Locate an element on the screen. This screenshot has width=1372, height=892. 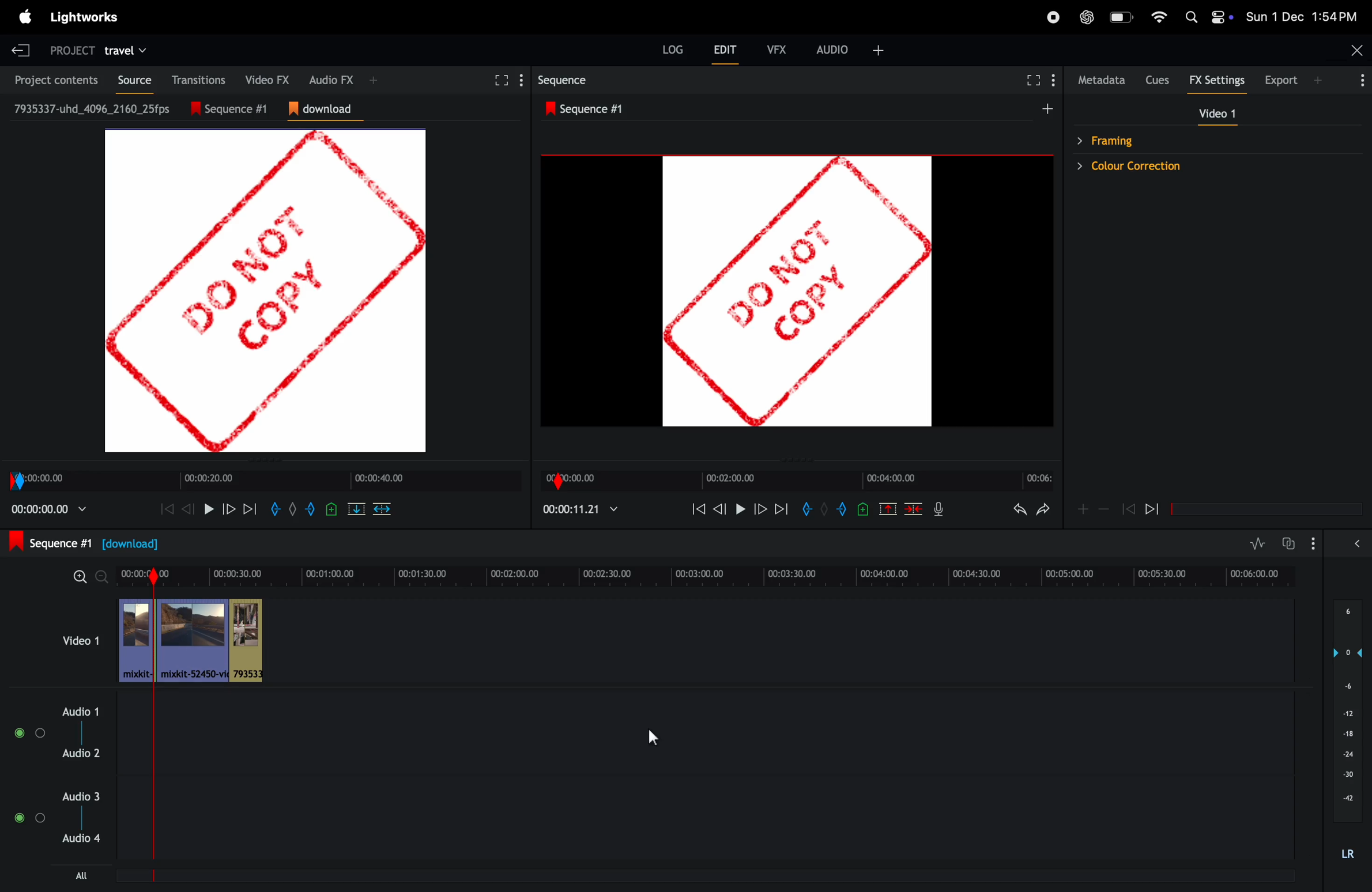
next frame is located at coordinates (249, 509).